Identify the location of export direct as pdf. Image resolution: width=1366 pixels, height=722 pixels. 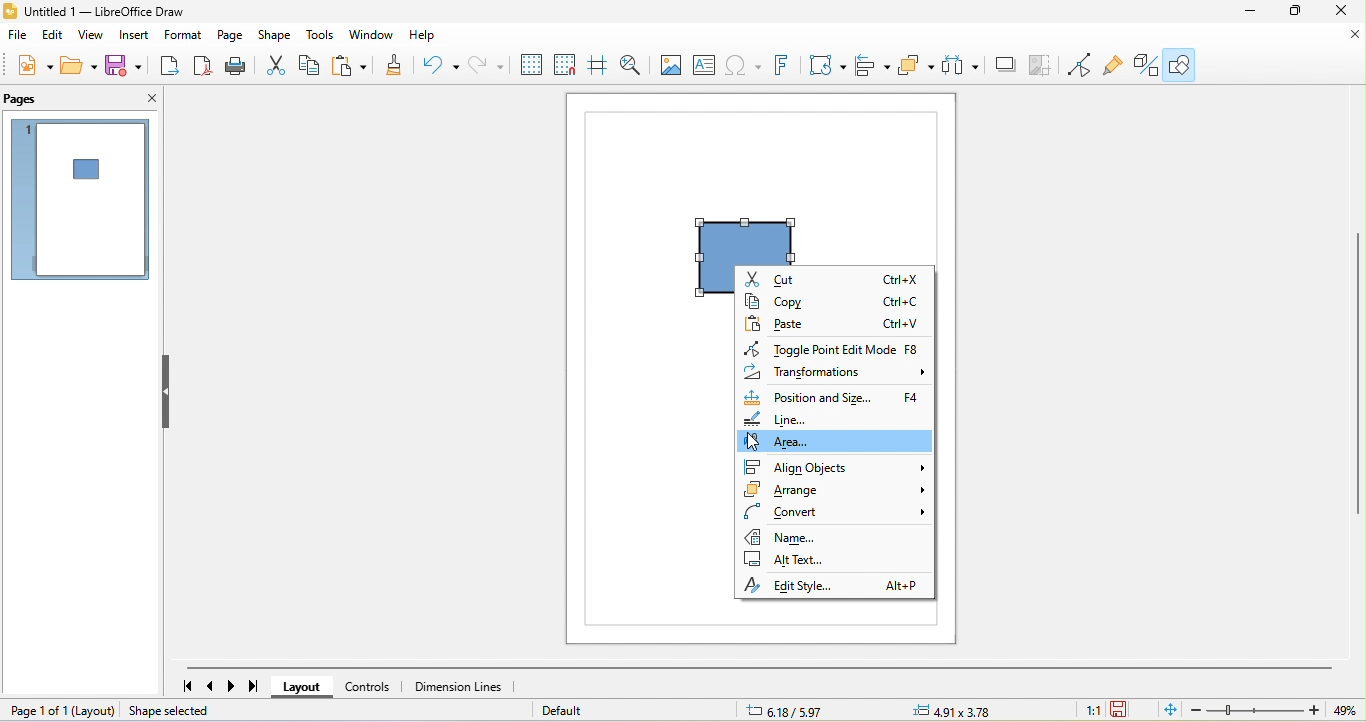
(203, 68).